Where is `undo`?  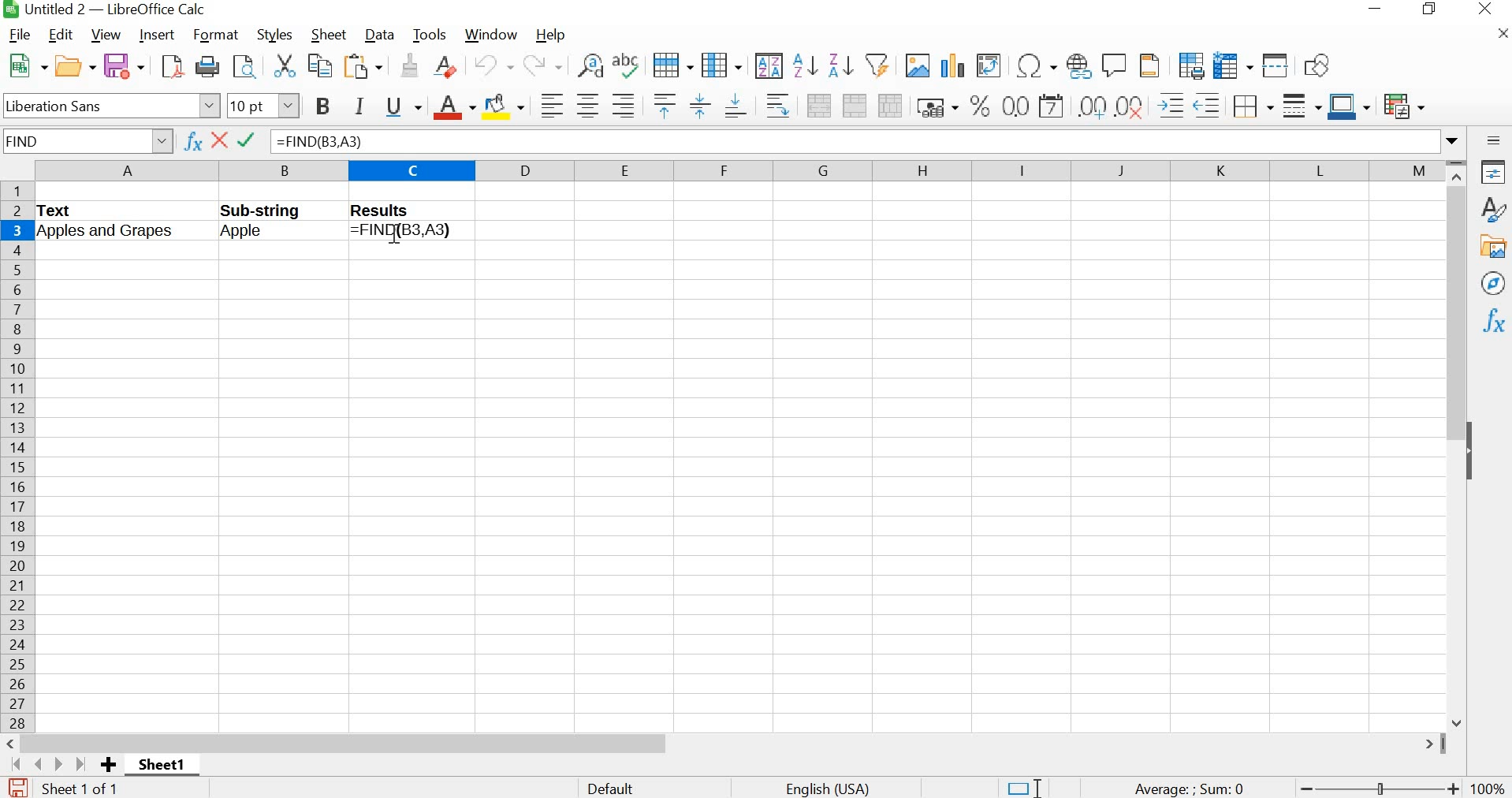 undo is located at coordinates (492, 65).